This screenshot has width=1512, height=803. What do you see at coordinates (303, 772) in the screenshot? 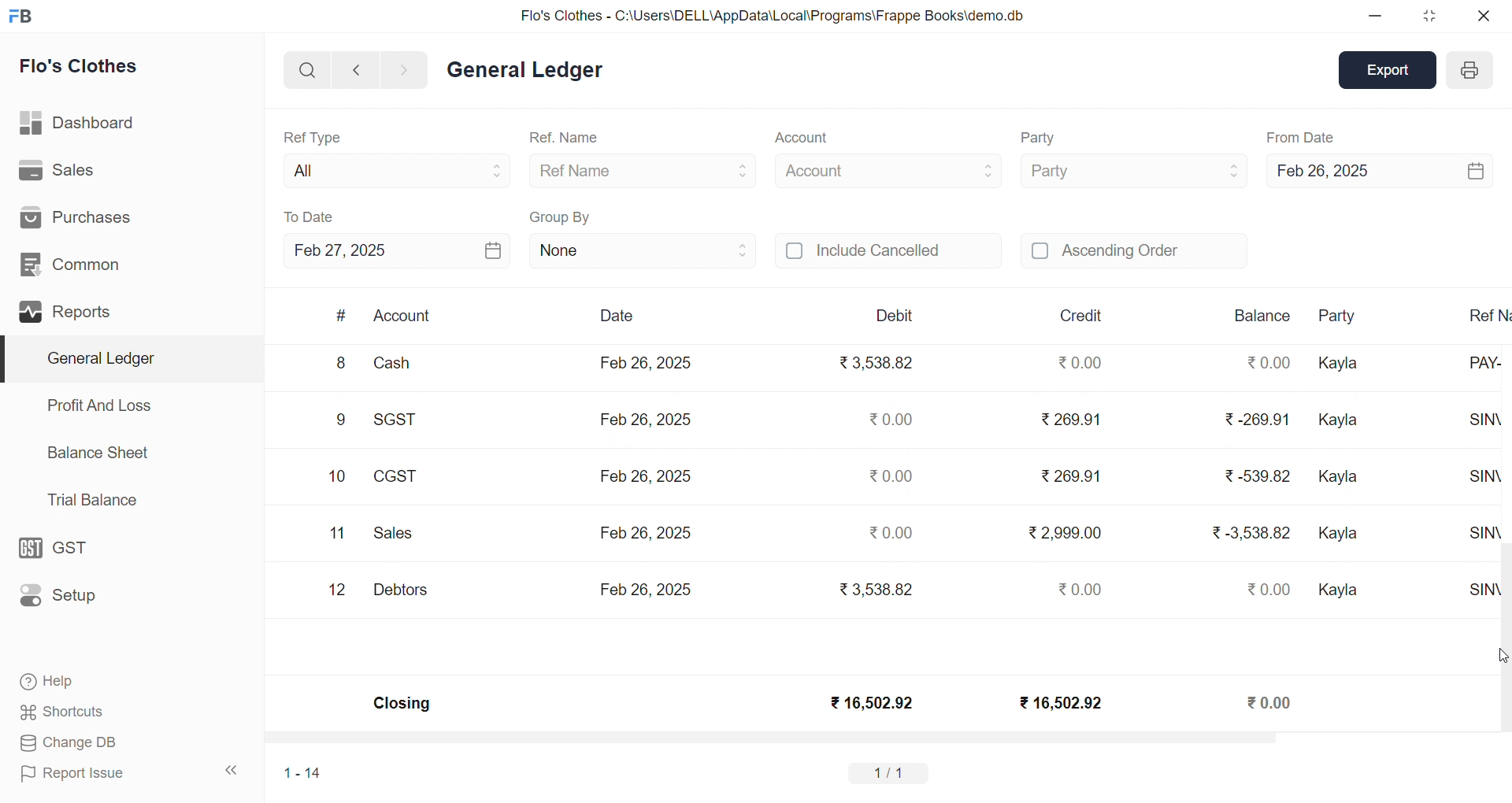
I see `1-14` at bounding box center [303, 772].